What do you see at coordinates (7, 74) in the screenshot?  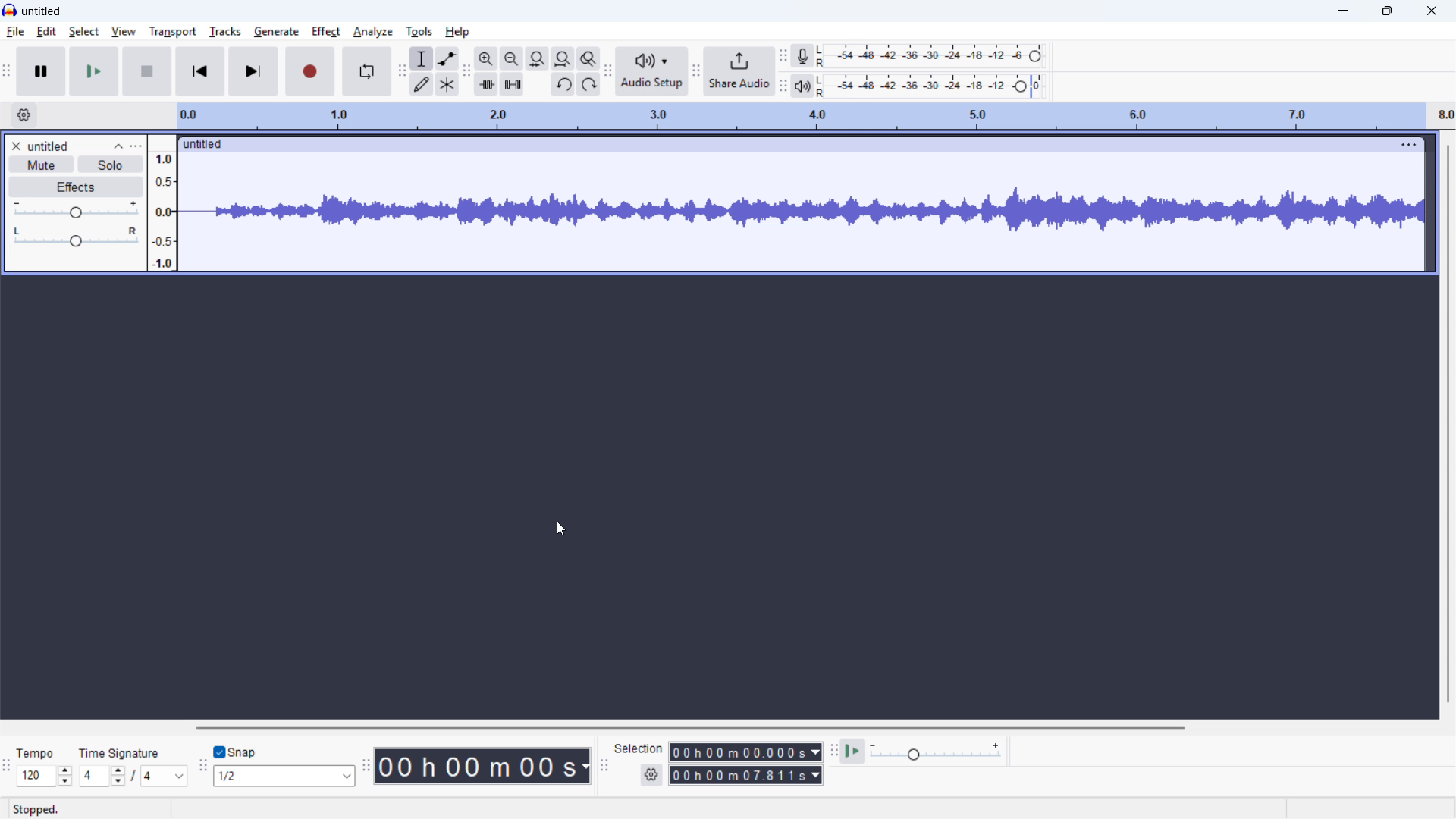 I see `transport toolbar` at bounding box center [7, 74].